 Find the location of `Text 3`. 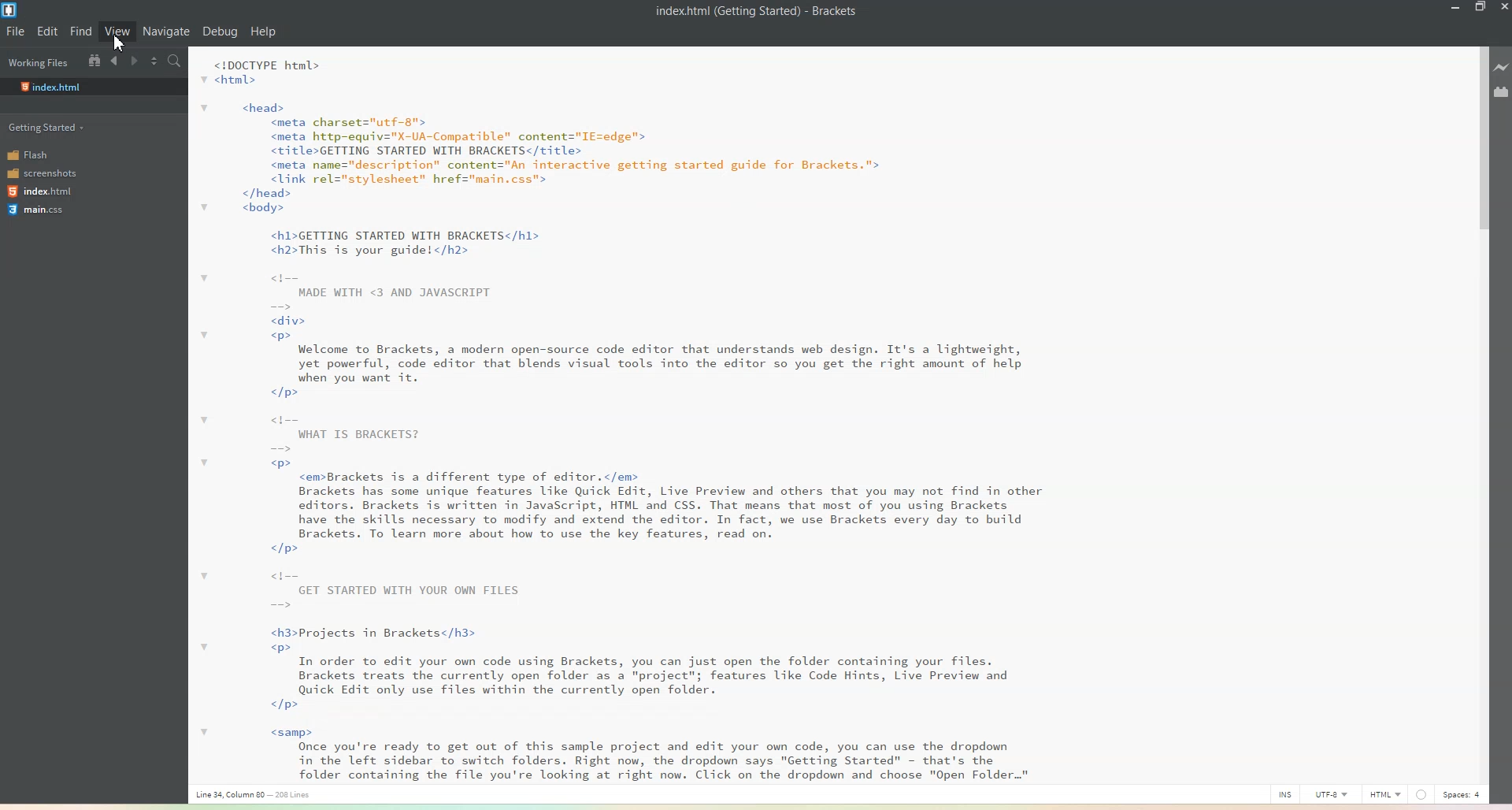

Text 3 is located at coordinates (258, 795).